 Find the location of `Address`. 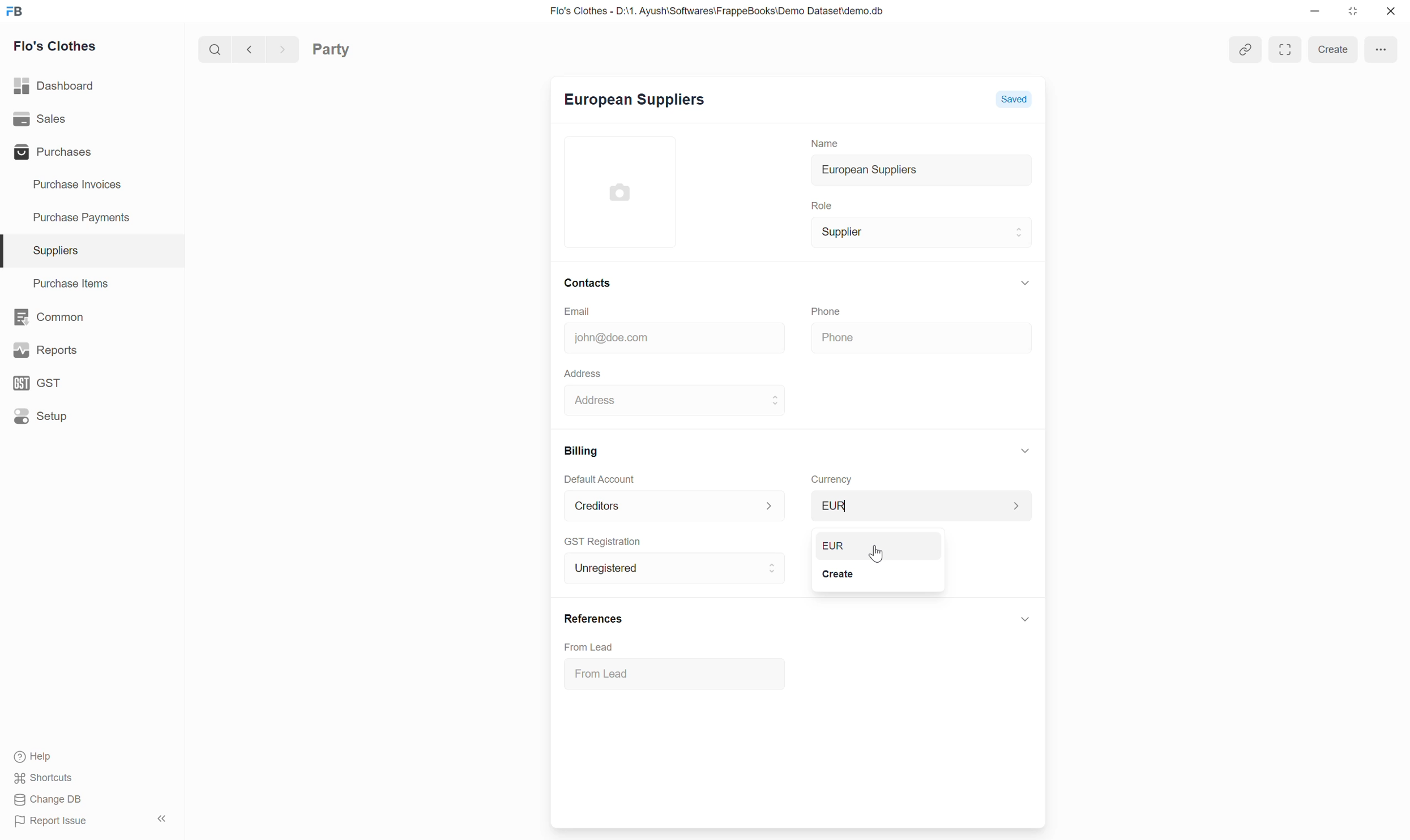

Address is located at coordinates (578, 371).